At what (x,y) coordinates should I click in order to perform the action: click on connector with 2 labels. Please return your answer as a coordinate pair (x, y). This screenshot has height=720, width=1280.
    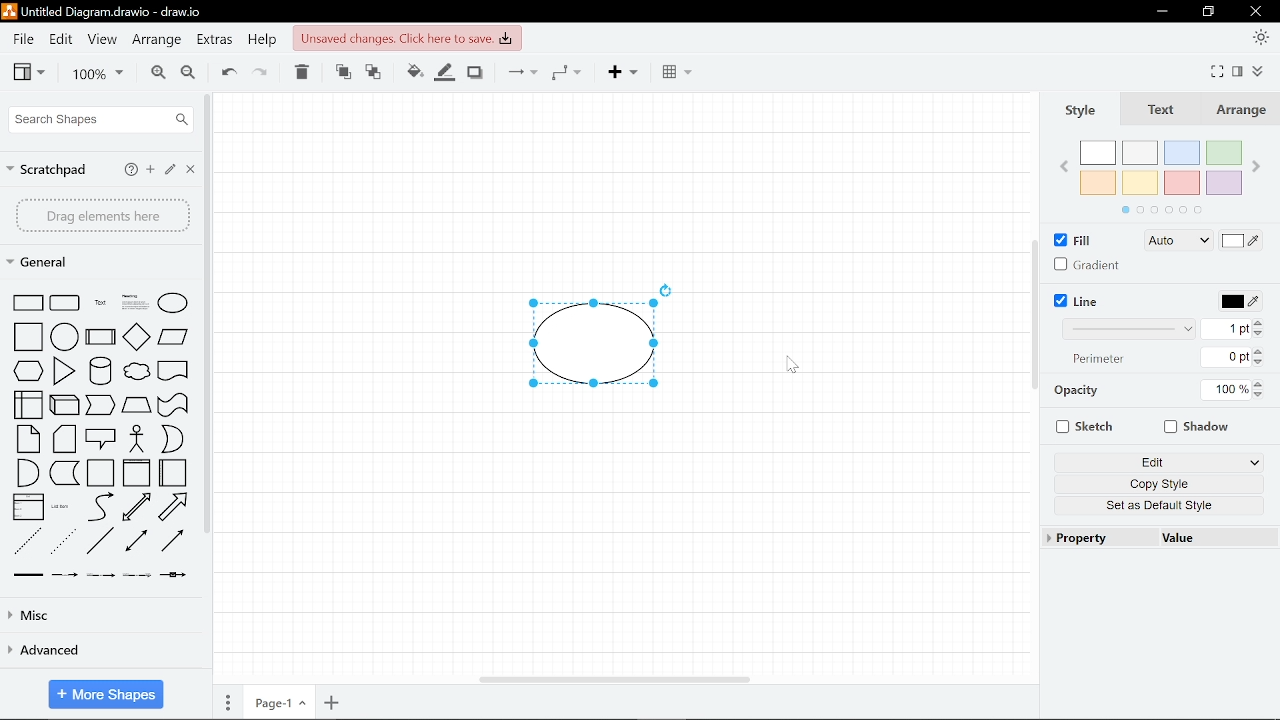
    Looking at the image, I should click on (100, 575).